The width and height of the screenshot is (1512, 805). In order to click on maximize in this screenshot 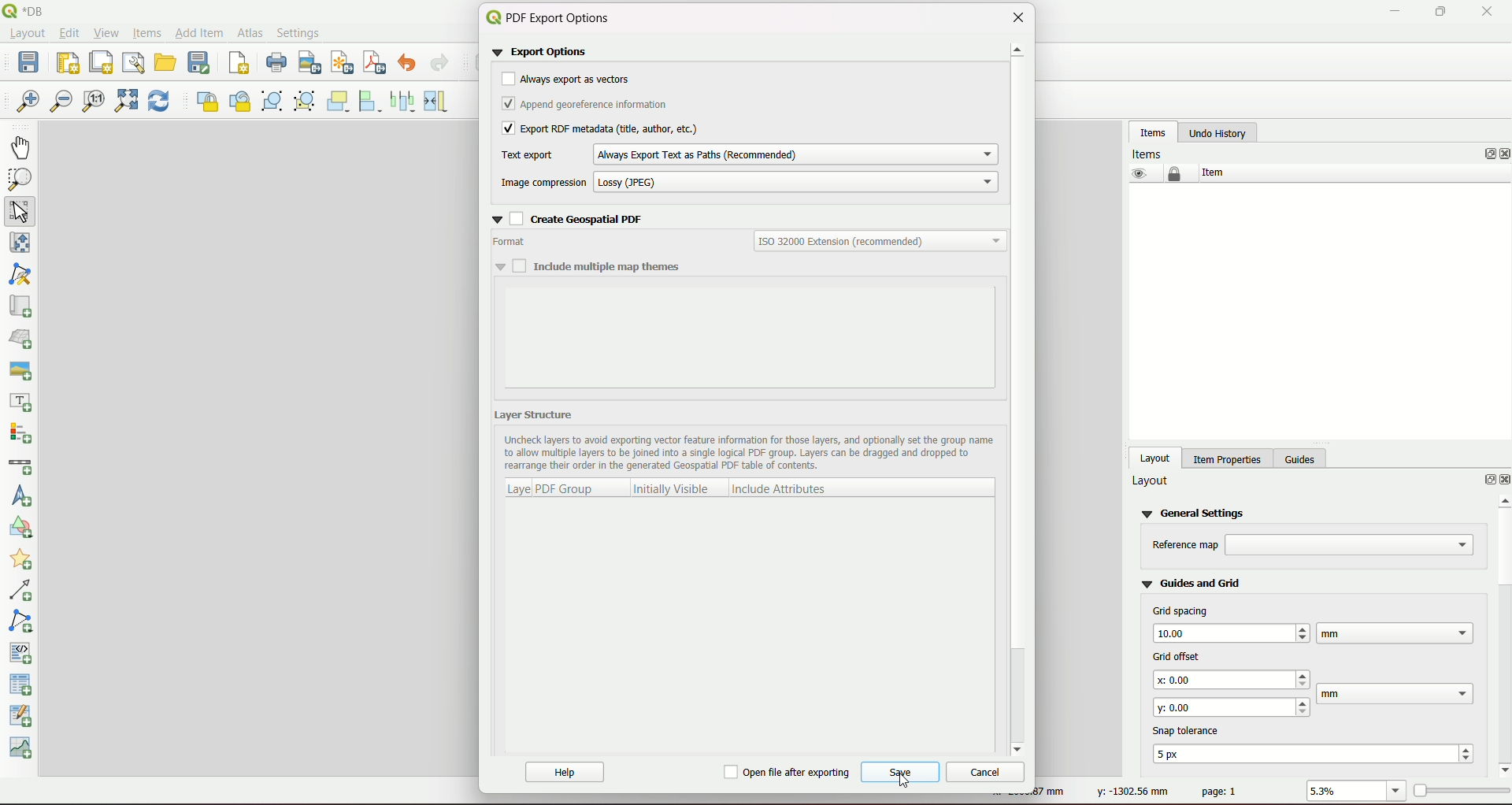, I will do `click(1436, 12)`.